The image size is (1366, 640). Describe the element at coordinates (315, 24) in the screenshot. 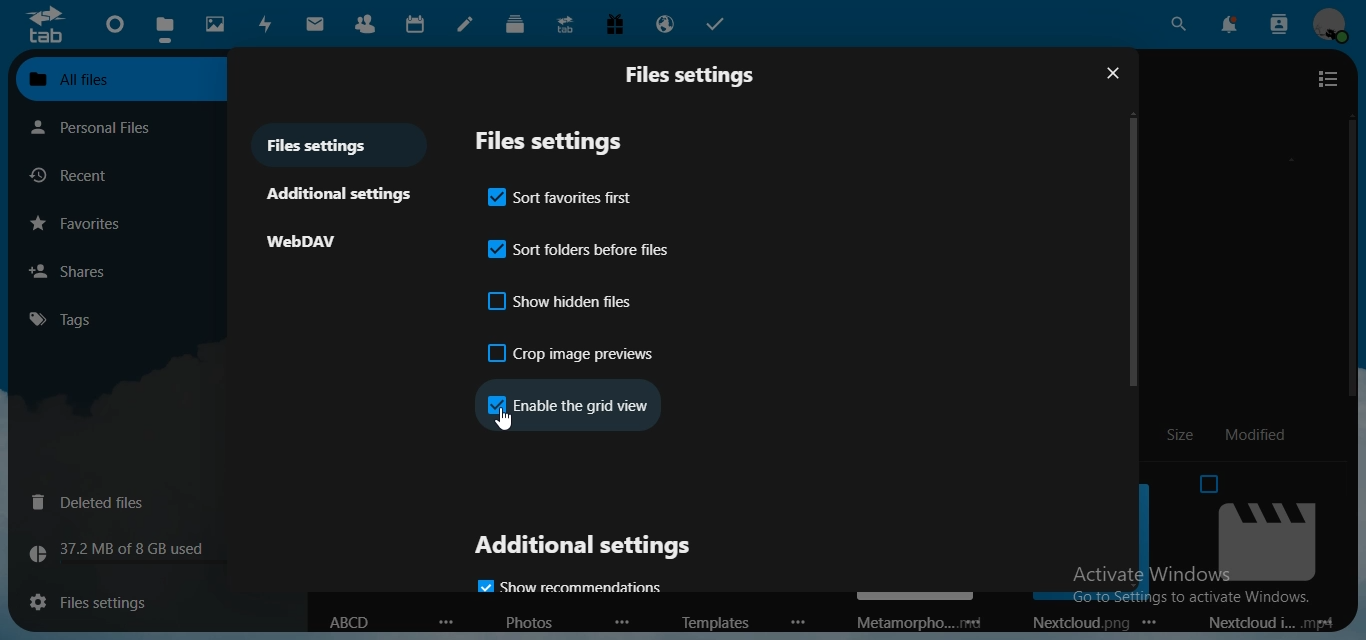

I see `mail` at that location.